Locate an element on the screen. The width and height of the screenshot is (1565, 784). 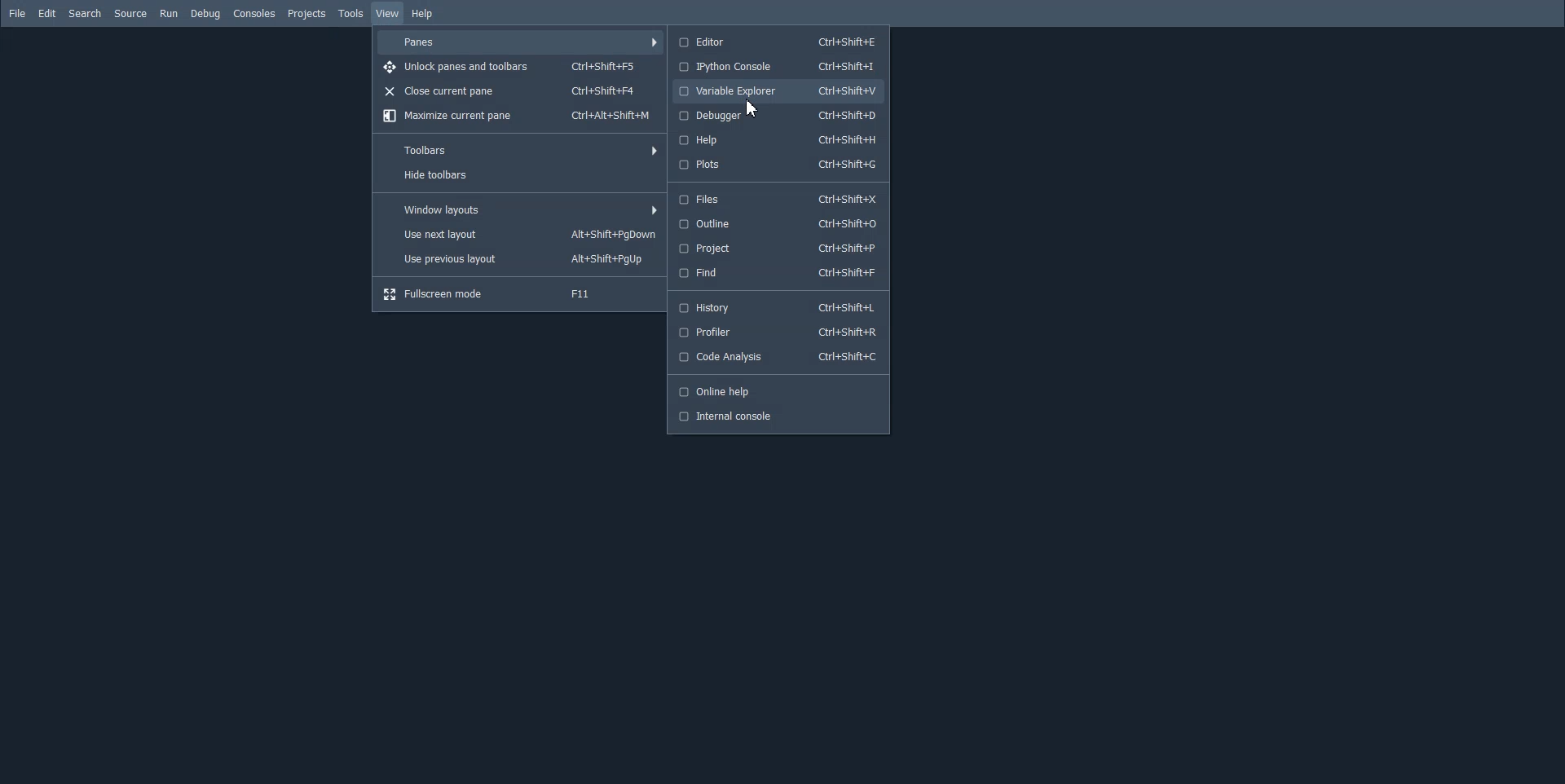
Consoles is located at coordinates (255, 13).